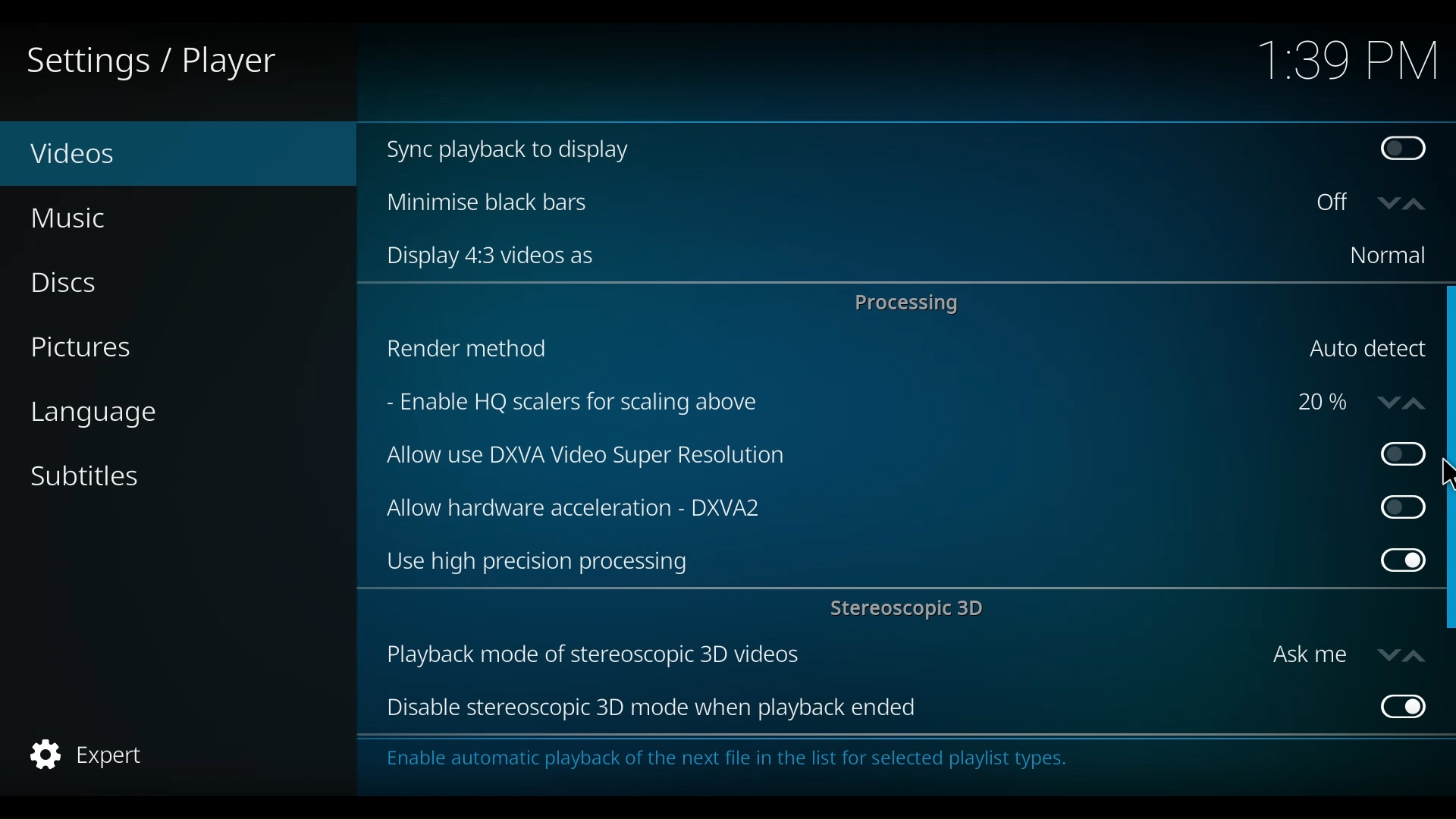 Image resolution: width=1456 pixels, height=819 pixels. Describe the element at coordinates (90, 755) in the screenshot. I see `Expert` at that location.